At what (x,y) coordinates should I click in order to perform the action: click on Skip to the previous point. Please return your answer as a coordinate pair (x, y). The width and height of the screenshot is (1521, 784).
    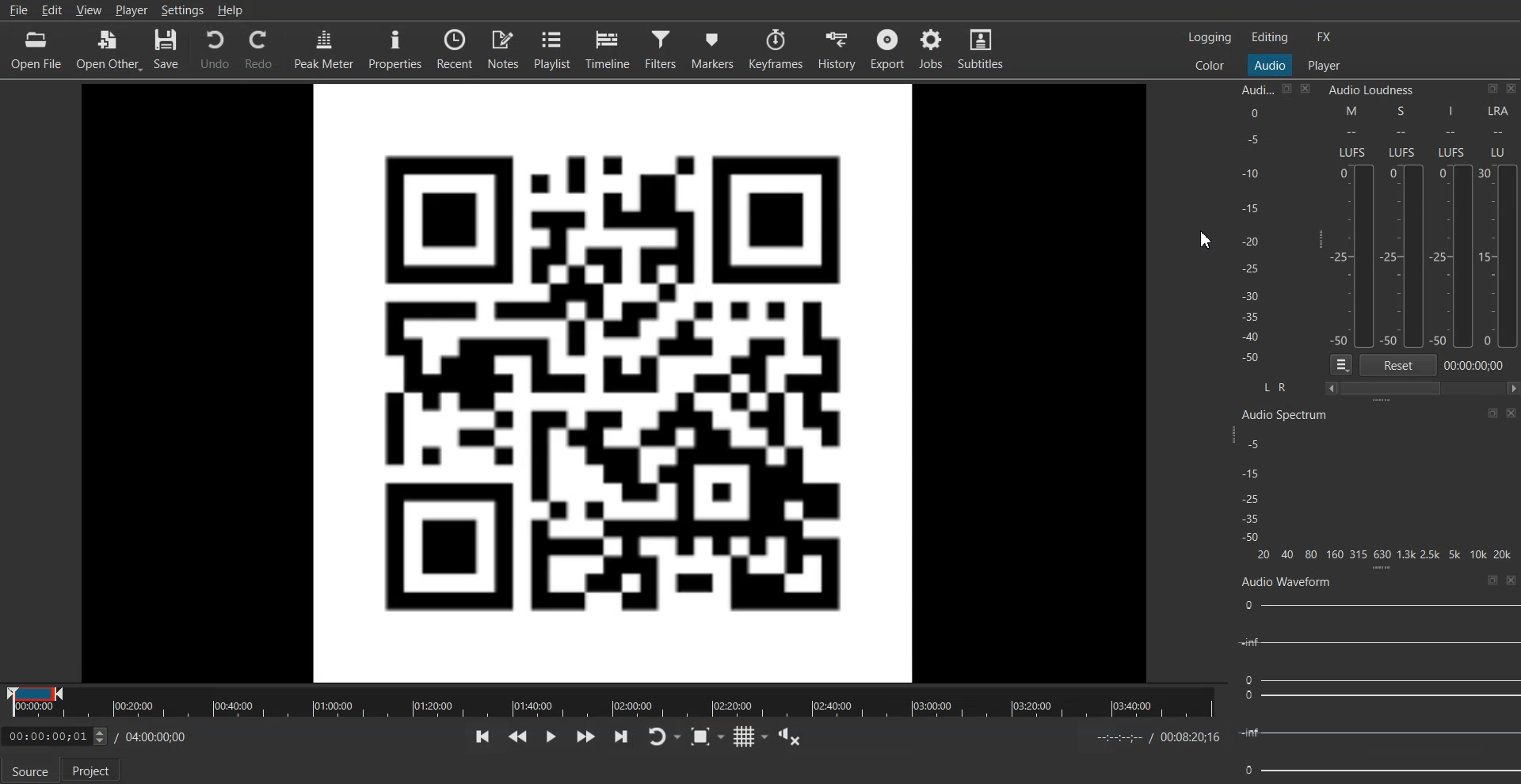
    Looking at the image, I should click on (481, 736).